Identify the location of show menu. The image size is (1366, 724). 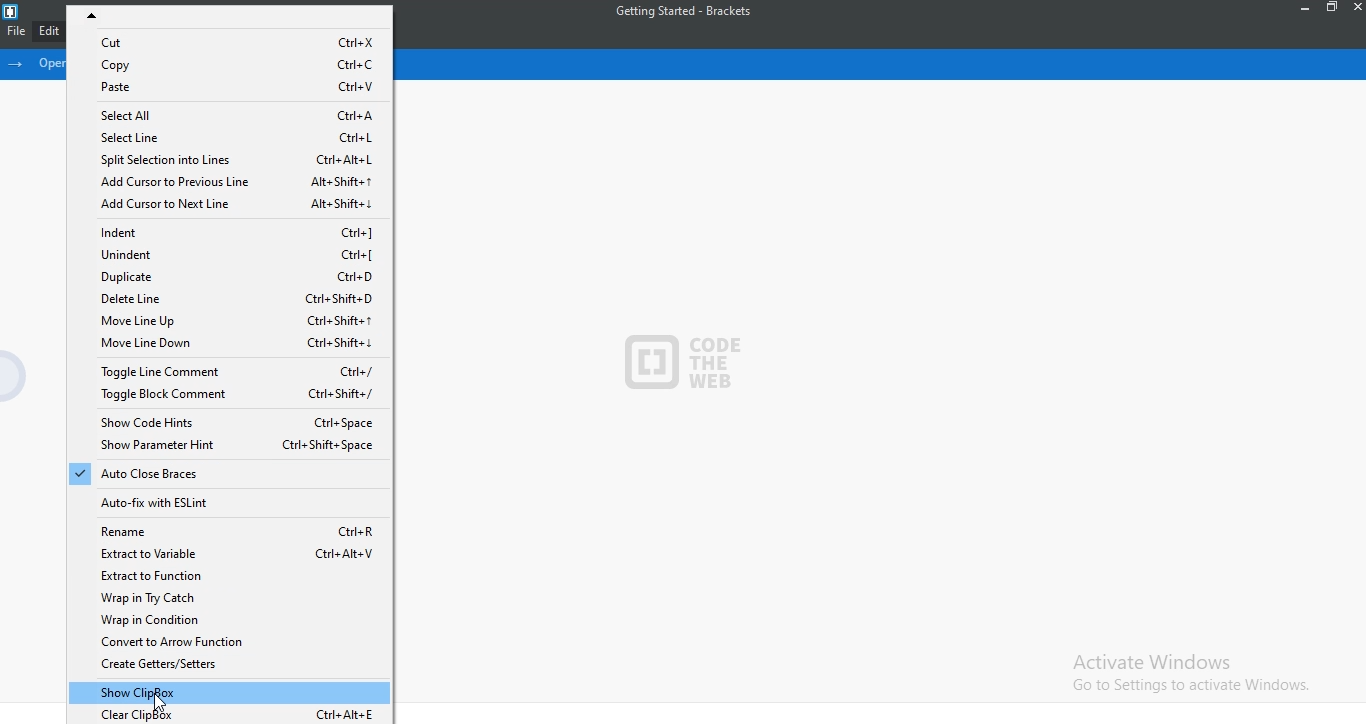
(19, 64).